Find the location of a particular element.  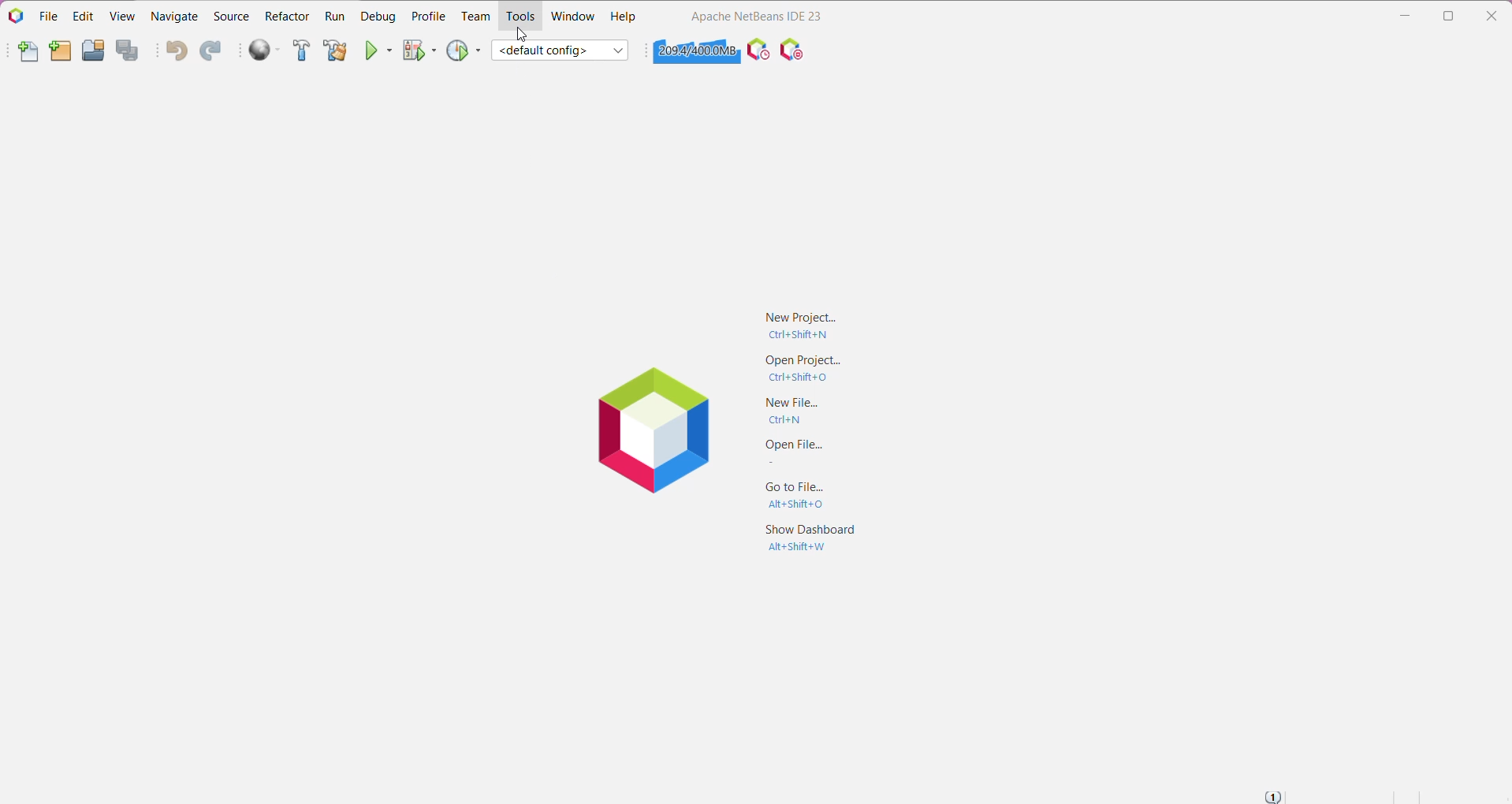

Refactor is located at coordinates (287, 16).